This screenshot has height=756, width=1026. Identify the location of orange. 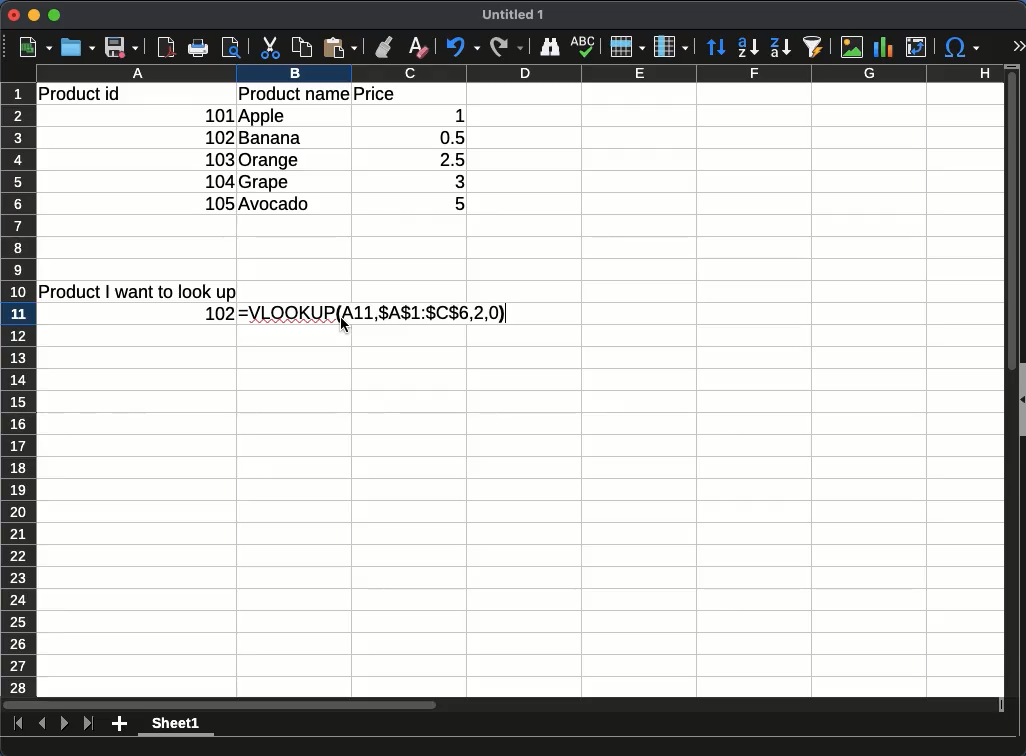
(271, 161).